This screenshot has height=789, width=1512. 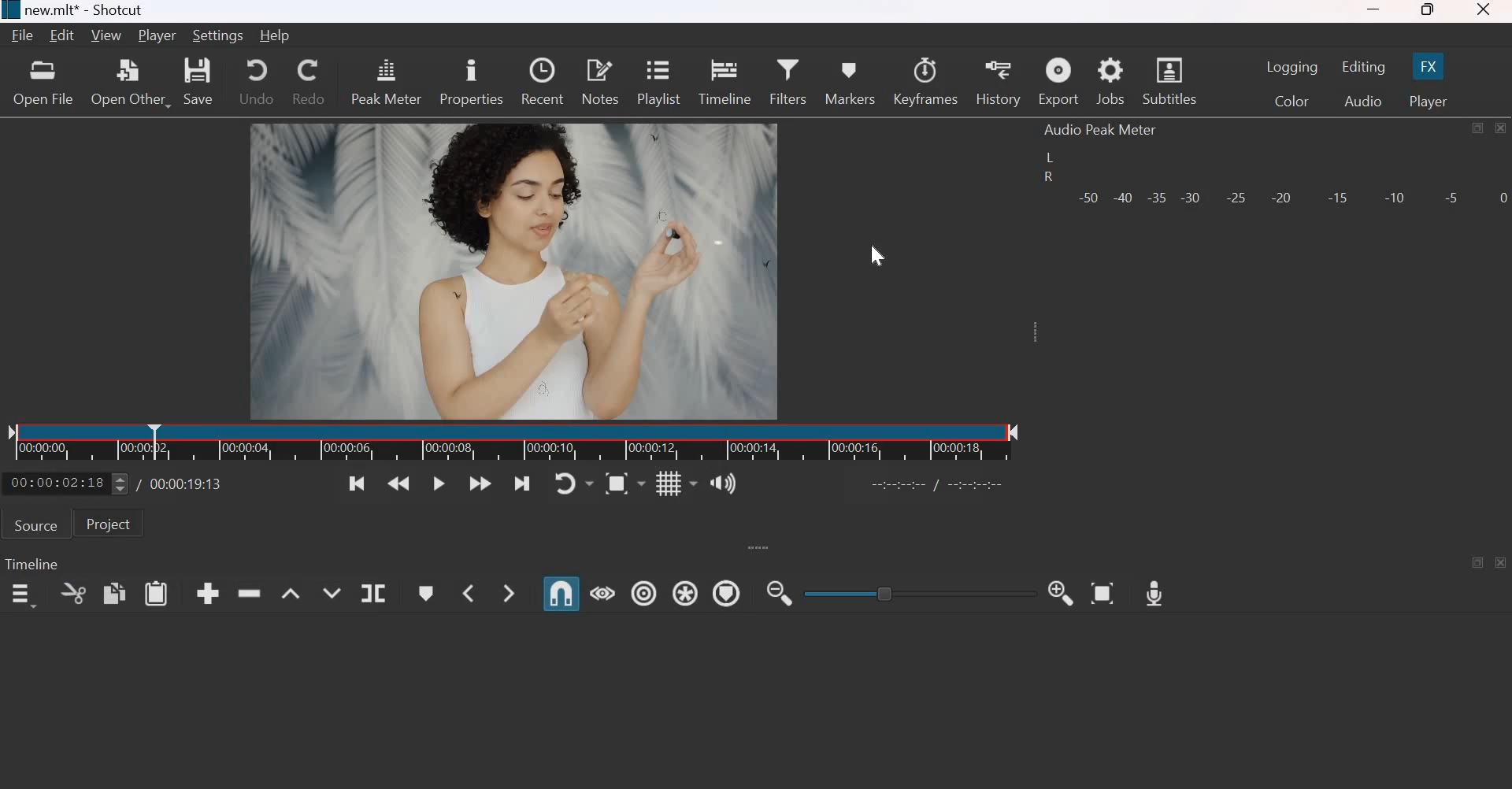 What do you see at coordinates (685, 591) in the screenshot?
I see `Ripple all tracks` at bounding box center [685, 591].